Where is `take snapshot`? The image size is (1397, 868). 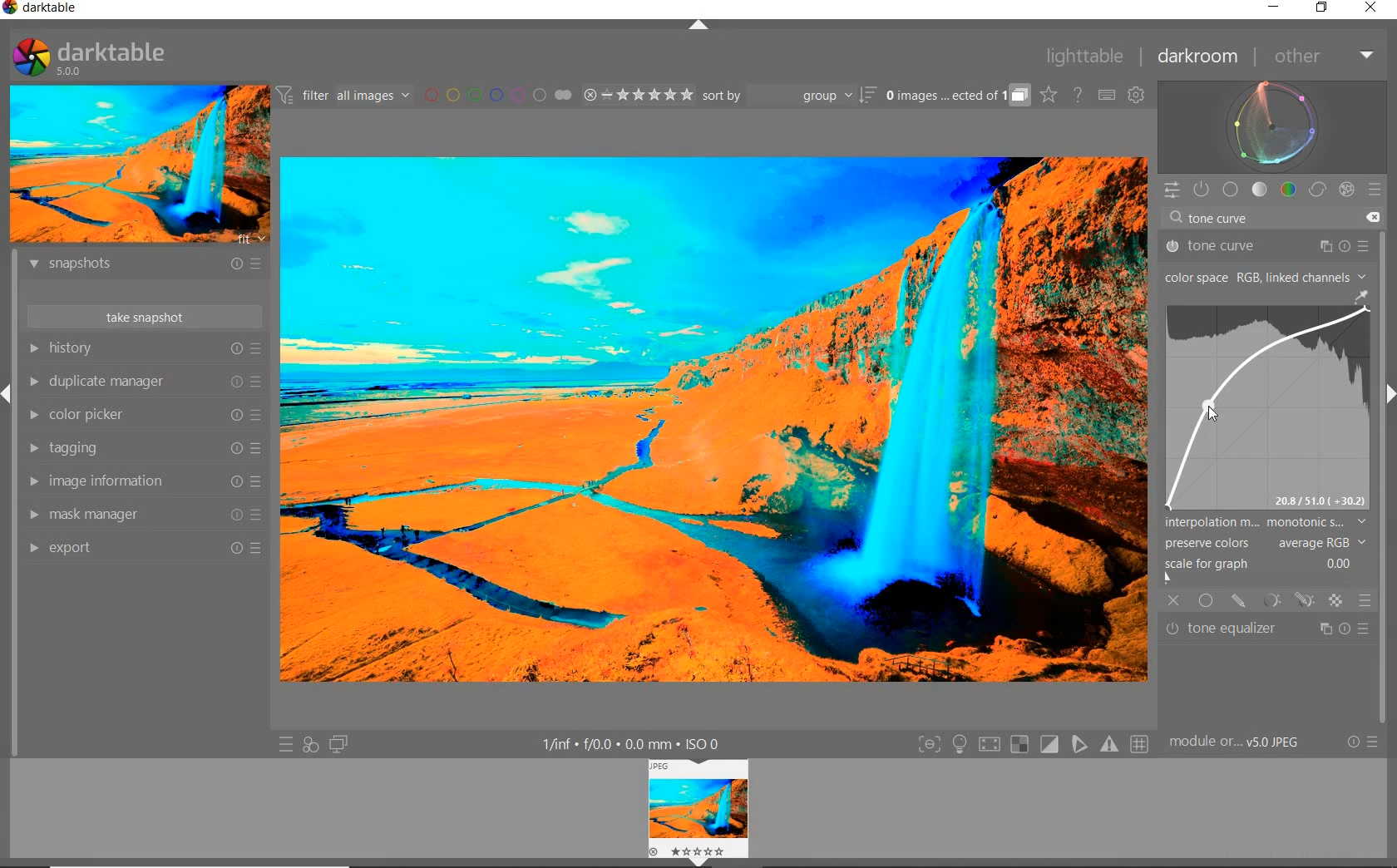 take snapshot is located at coordinates (144, 315).